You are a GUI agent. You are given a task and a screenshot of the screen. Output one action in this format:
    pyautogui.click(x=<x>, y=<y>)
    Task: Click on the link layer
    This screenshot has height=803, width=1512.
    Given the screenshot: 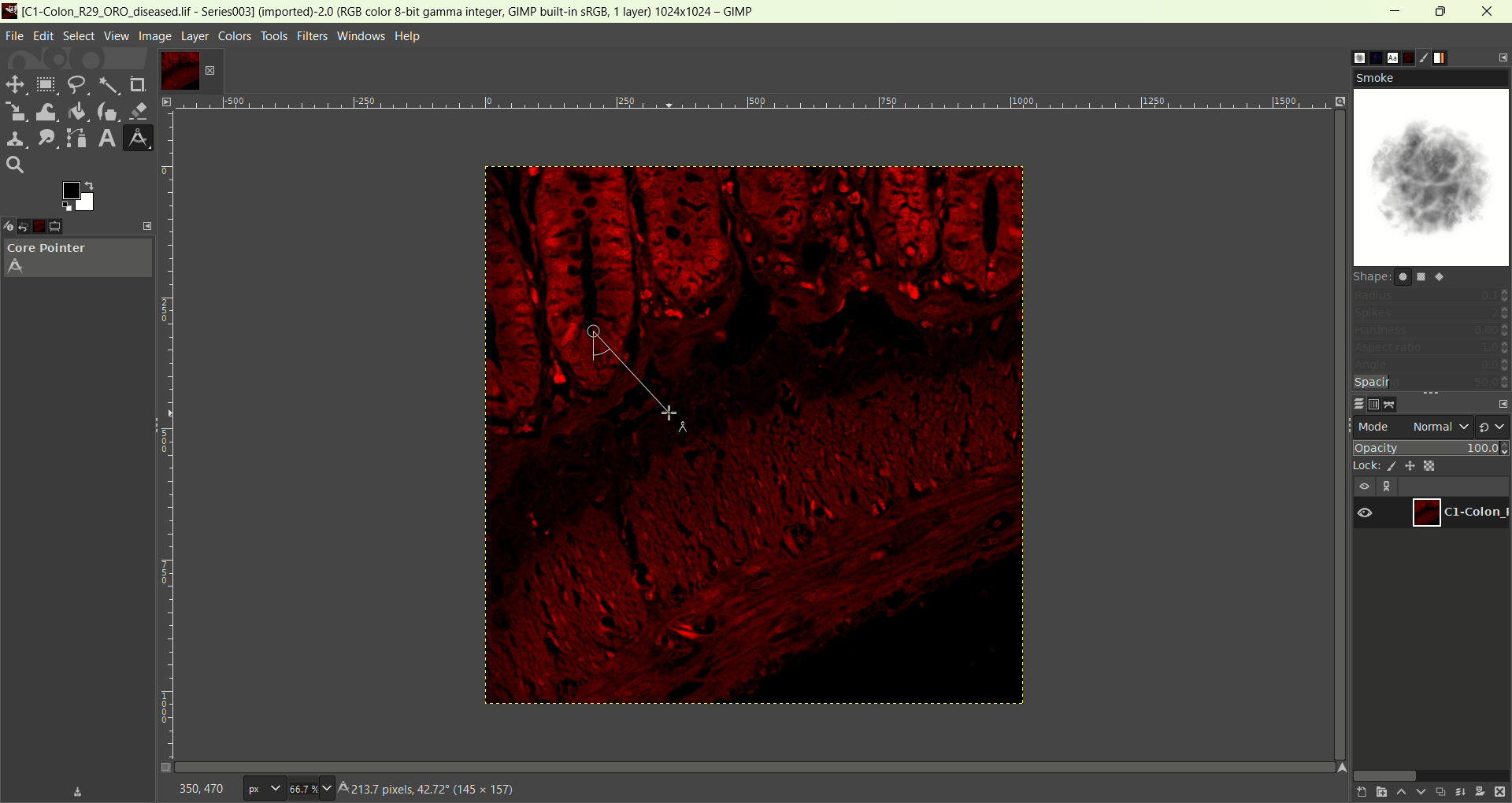 What is the action you would take?
    pyautogui.click(x=1388, y=487)
    